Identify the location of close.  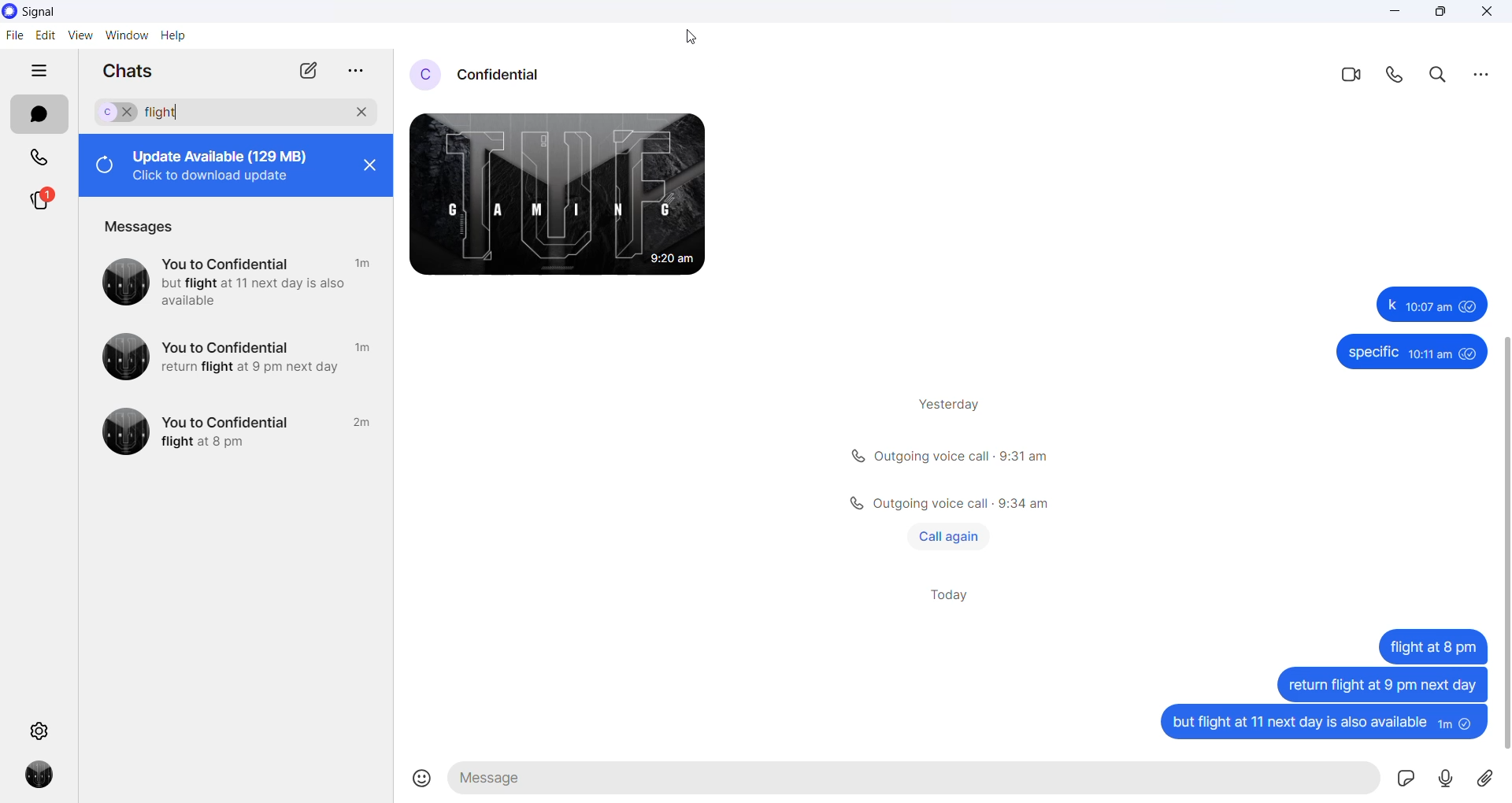
(1488, 13).